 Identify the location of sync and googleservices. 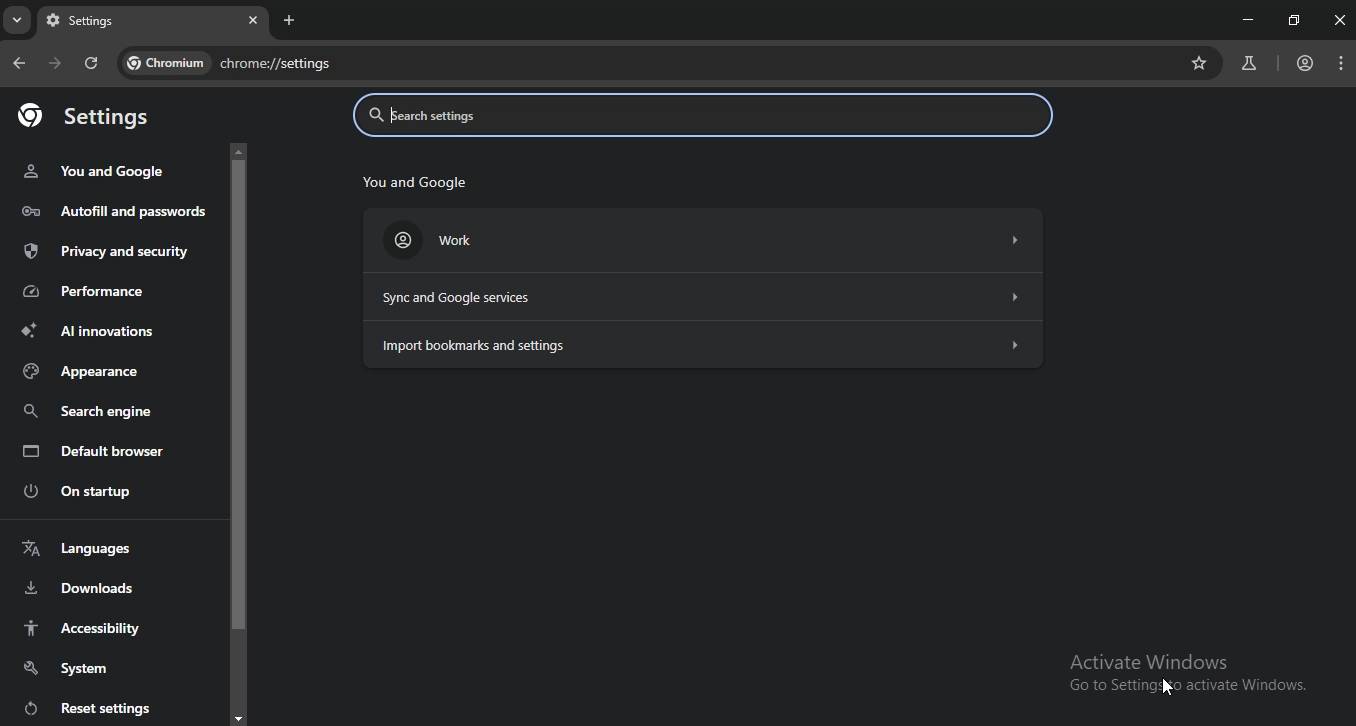
(708, 299).